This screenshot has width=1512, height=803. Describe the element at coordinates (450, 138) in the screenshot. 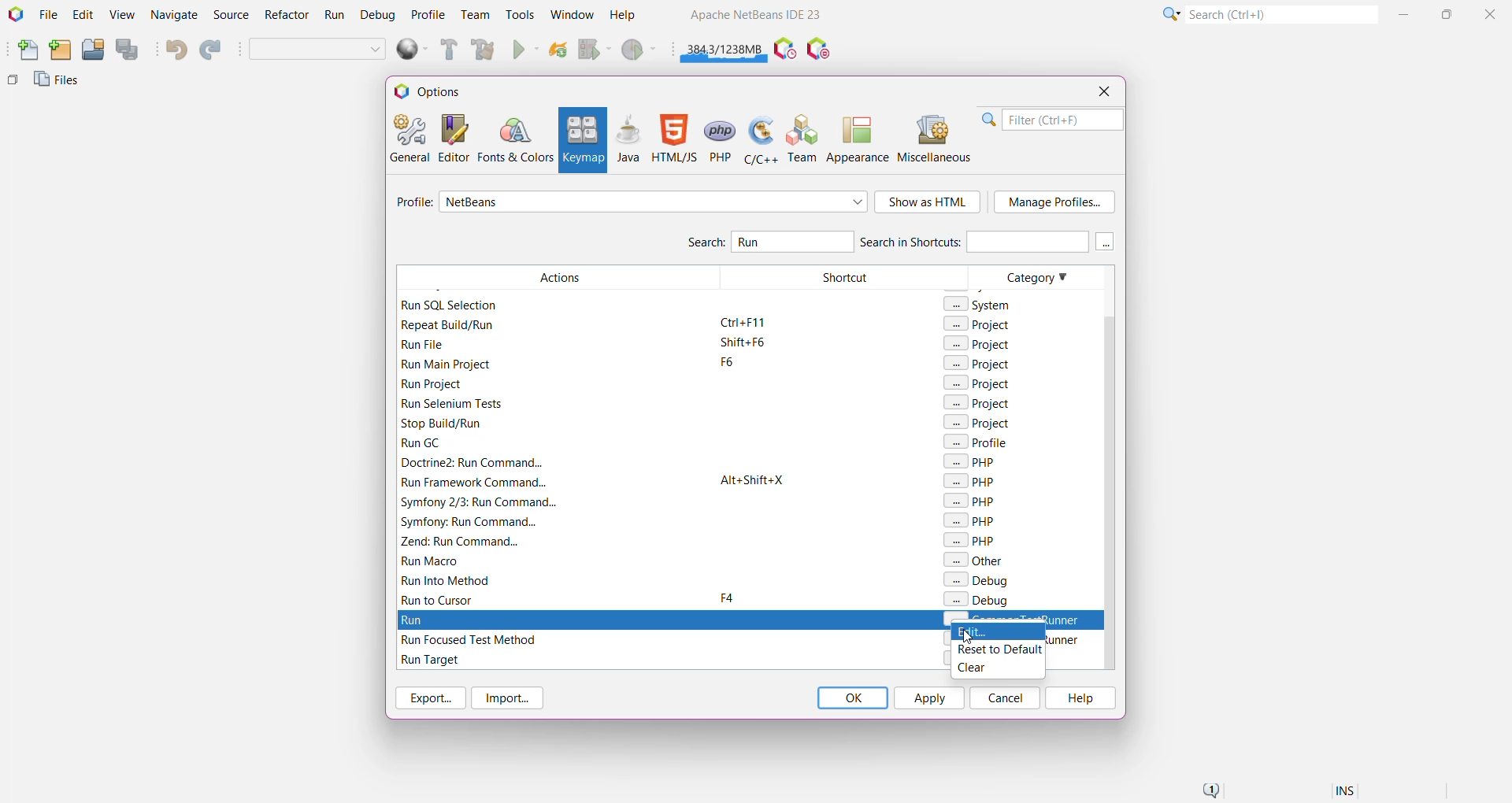

I see `Editor` at that location.